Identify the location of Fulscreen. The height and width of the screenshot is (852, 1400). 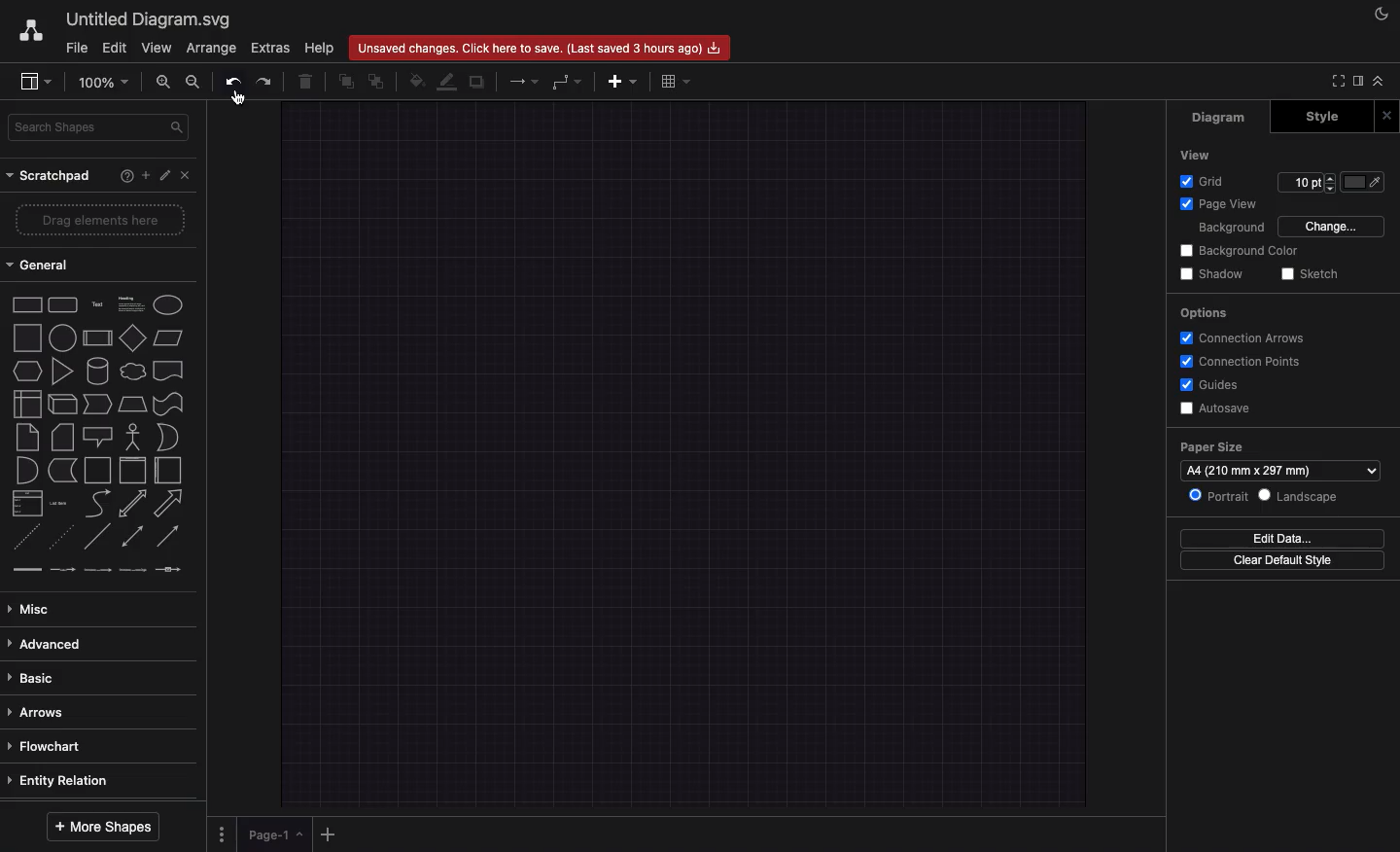
(1338, 81).